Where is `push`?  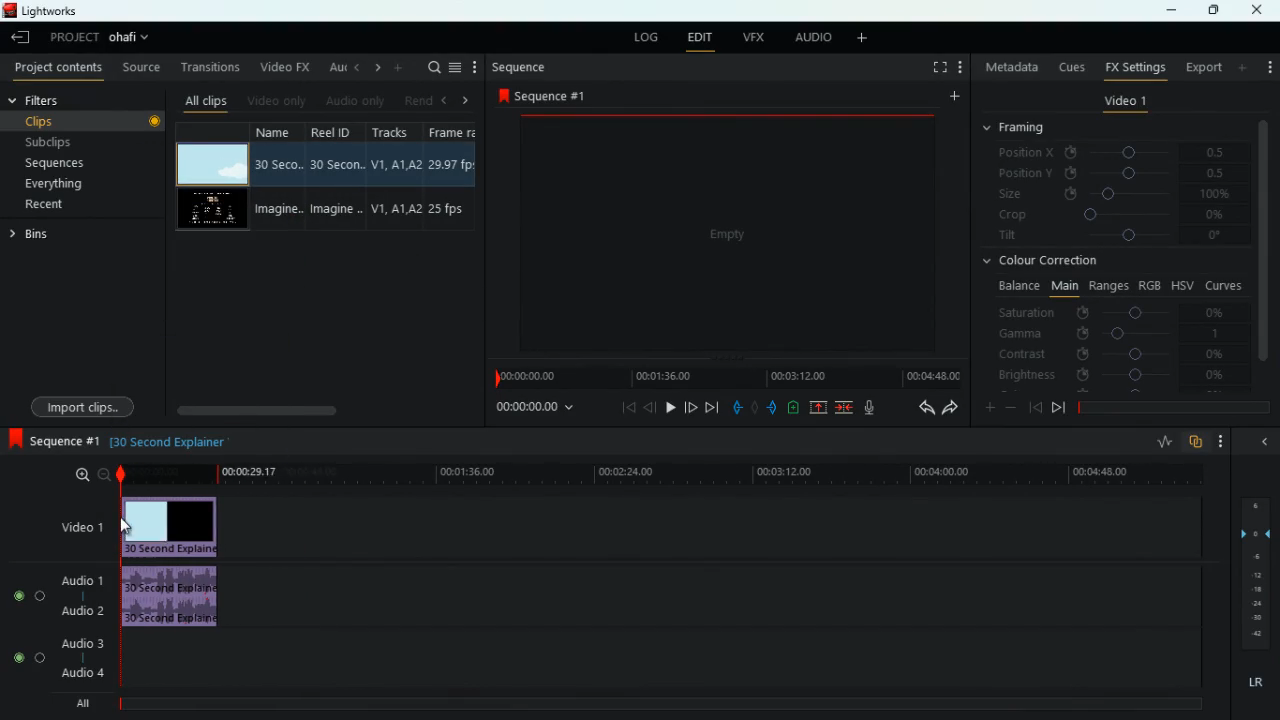 push is located at coordinates (772, 408).